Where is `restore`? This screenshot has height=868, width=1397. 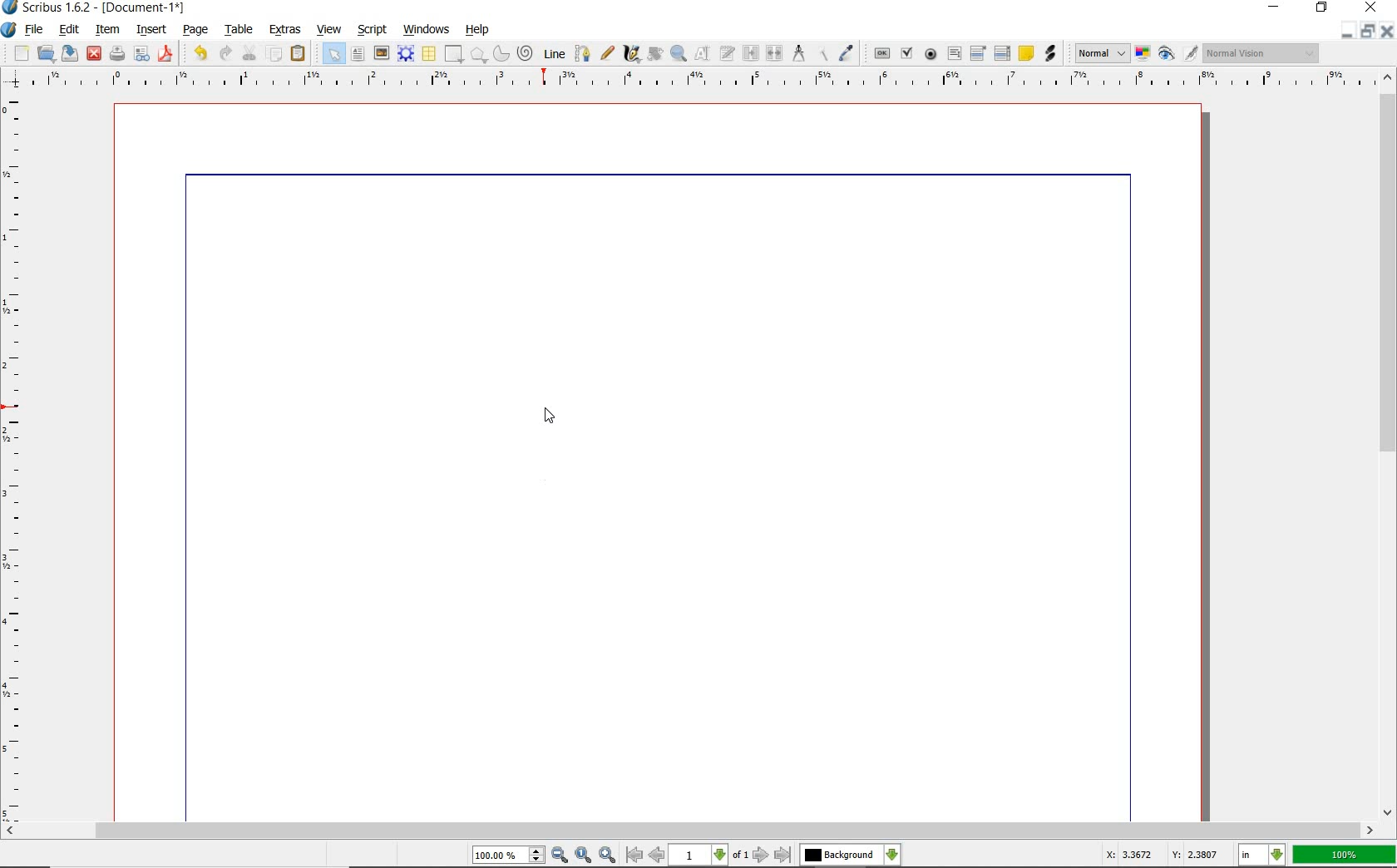
restore is located at coordinates (1324, 8).